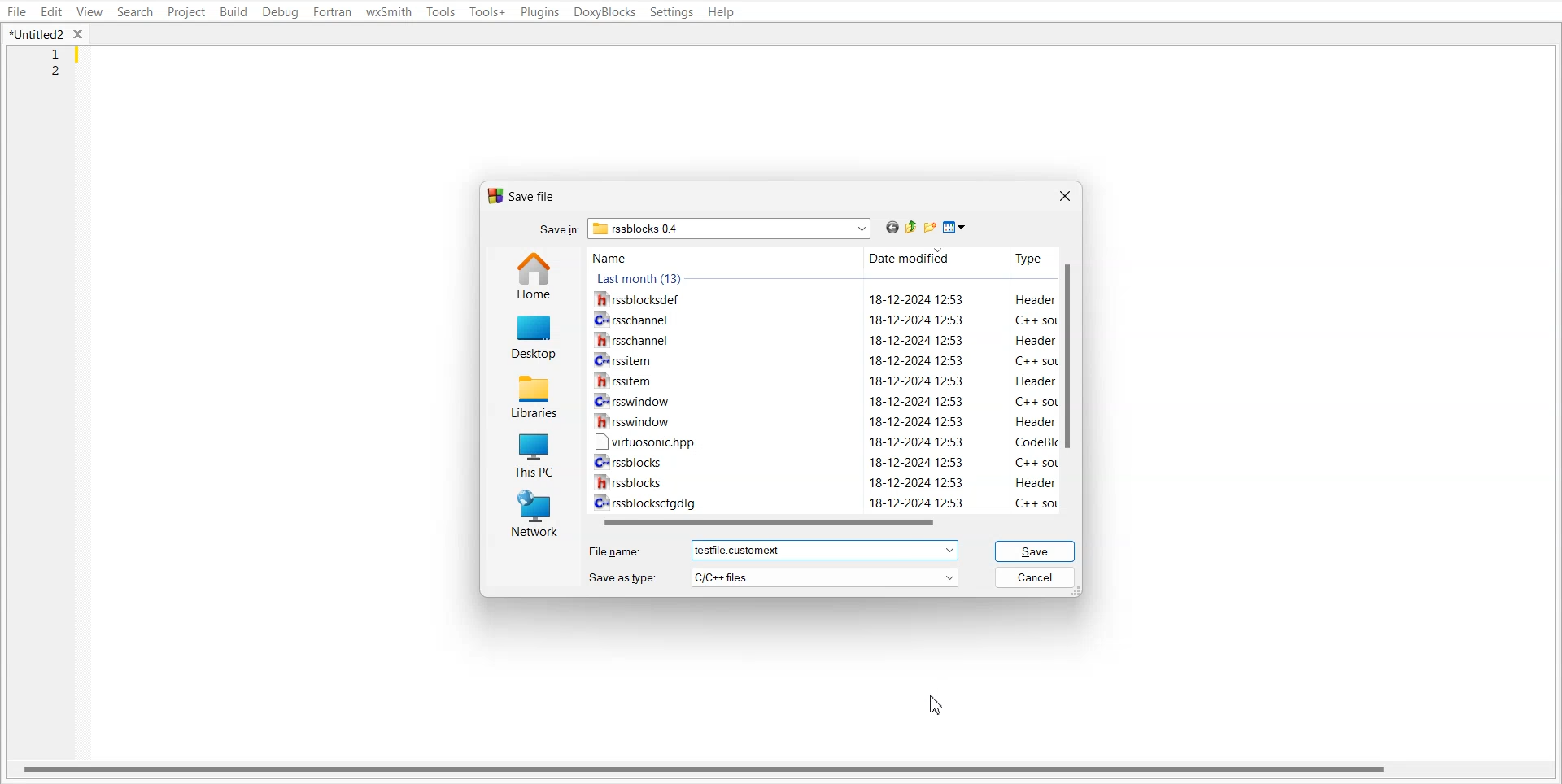  I want to click on Settings, so click(671, 11).